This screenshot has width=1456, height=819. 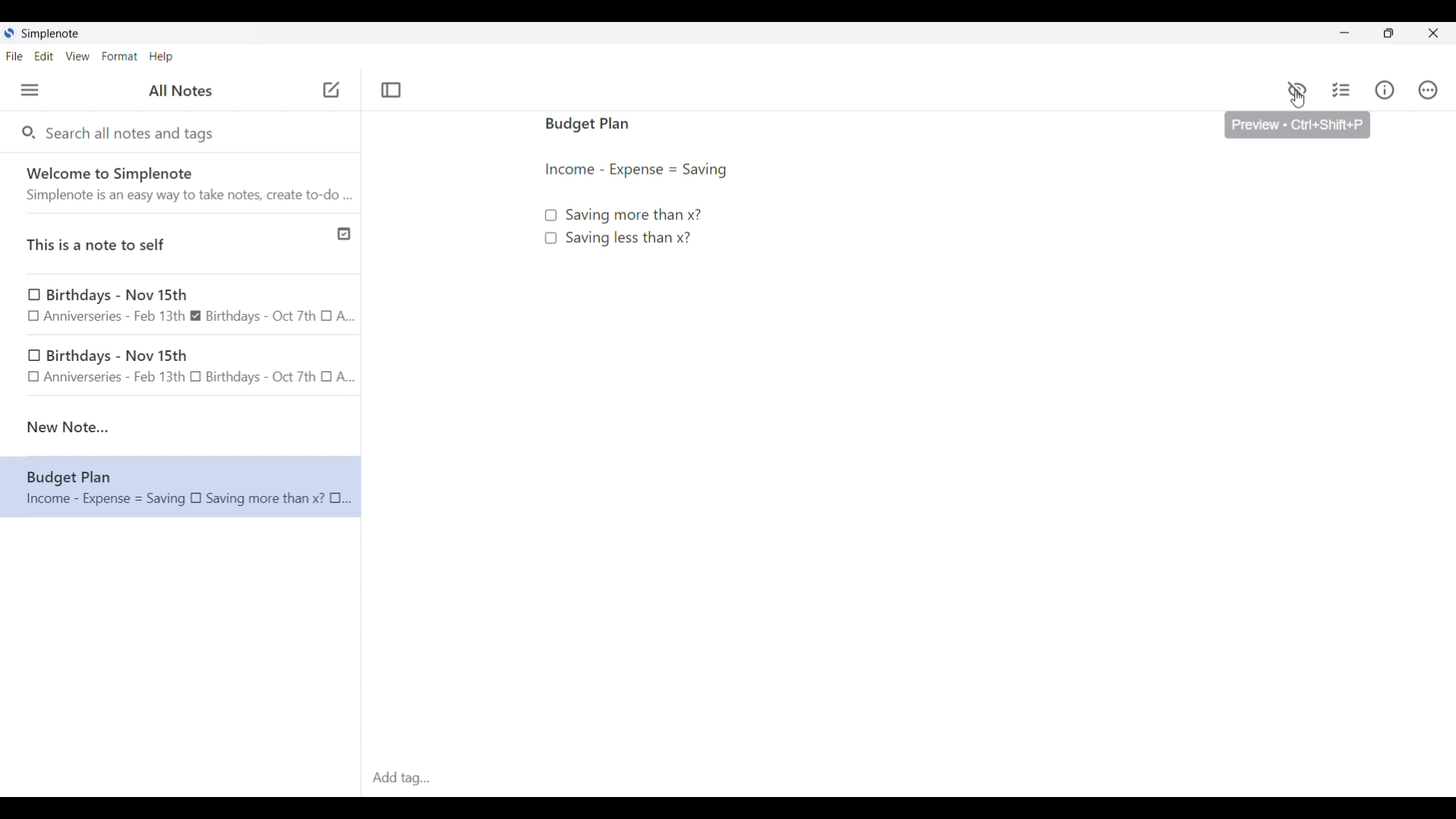 What do you see at coordinates (182, 244) in the screenshot?
I see `Published note indicated by check icon` at bounding box center [182, 244].